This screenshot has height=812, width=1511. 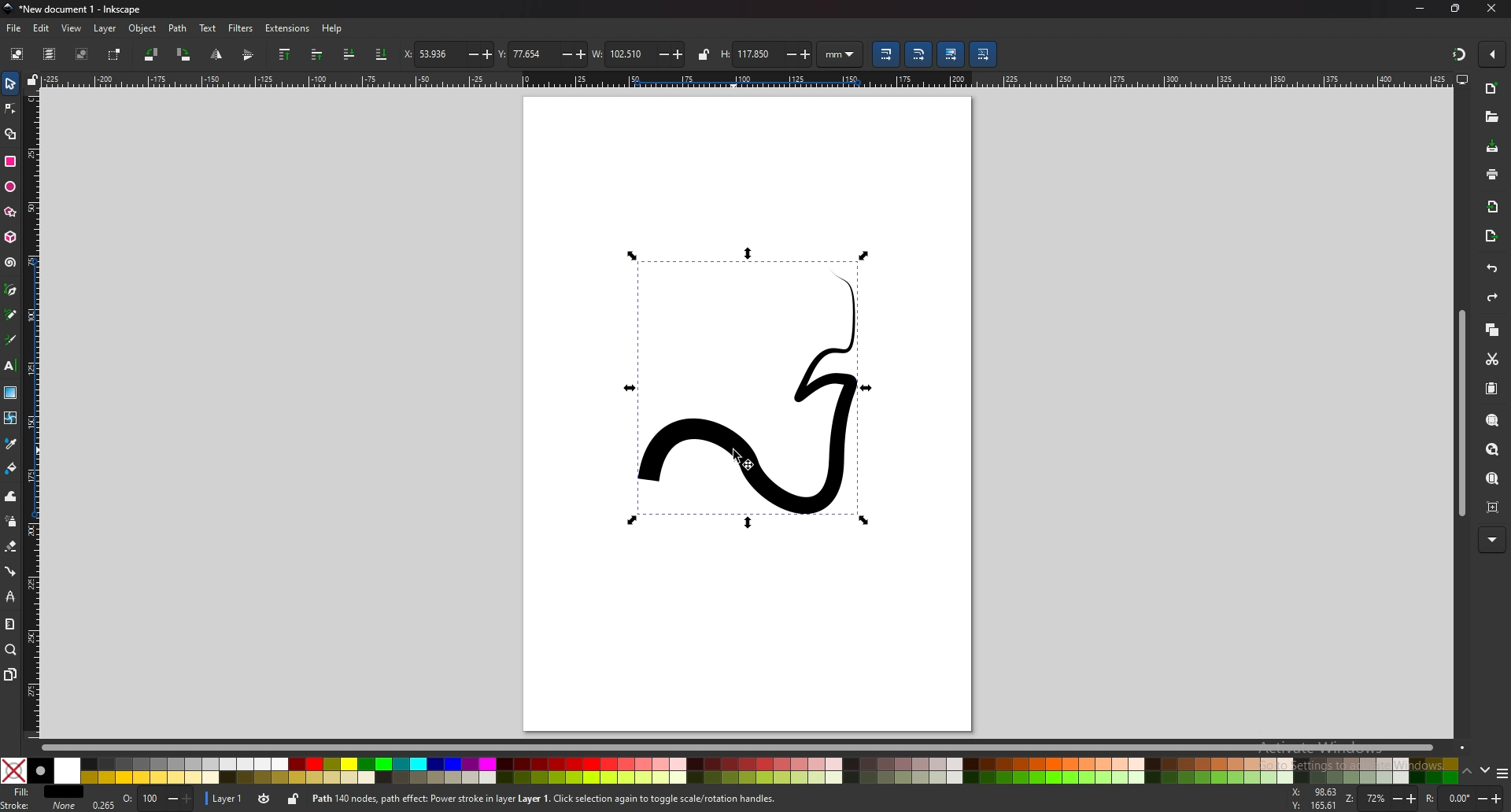 What do you see at coordinates (749, 461) in the screenshot?
I see `MOUSE POINTER` at bounding box center [749, 461].